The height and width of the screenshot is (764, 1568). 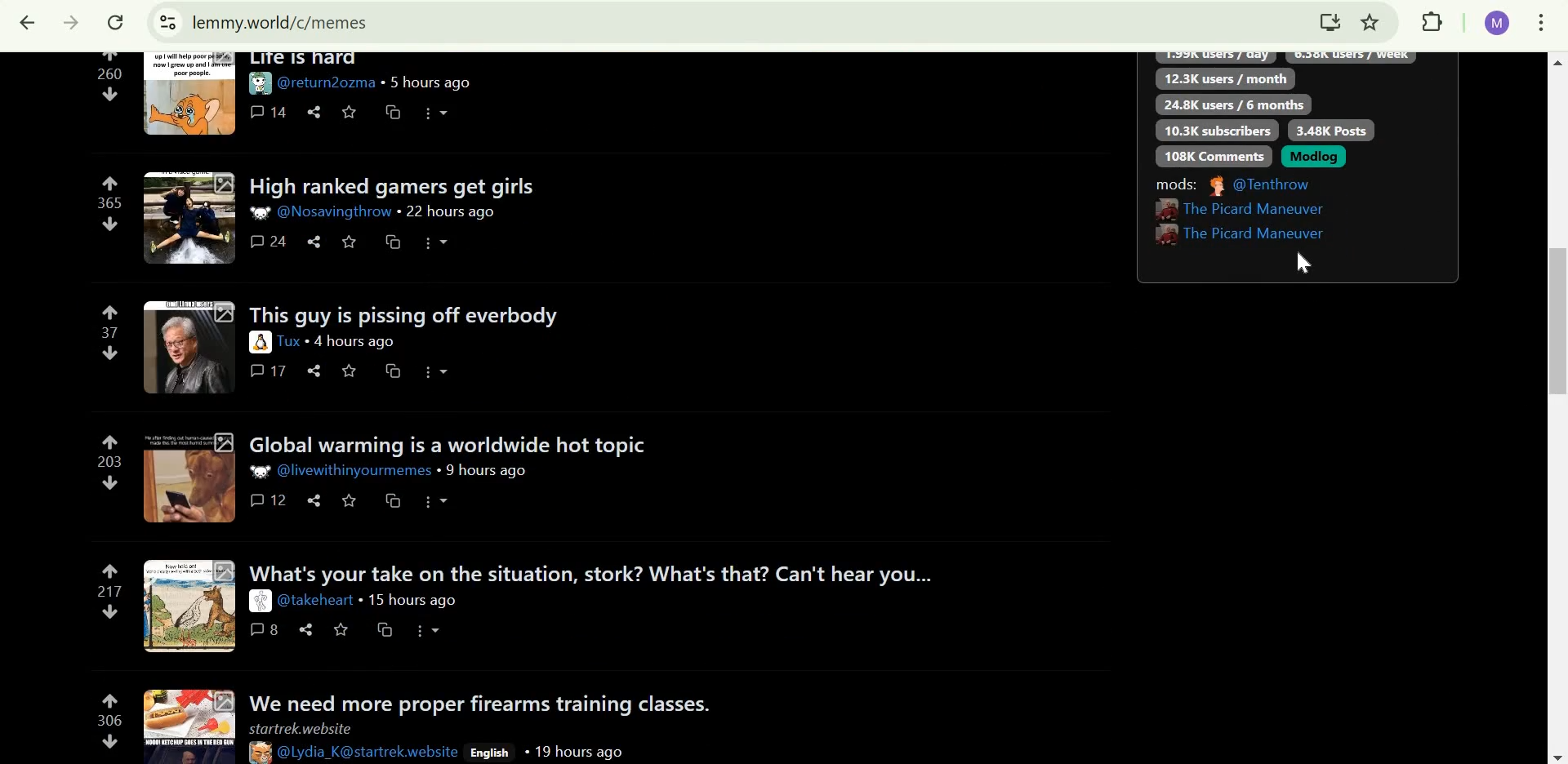 I want to click on expand here, so click(x=188, y=347).